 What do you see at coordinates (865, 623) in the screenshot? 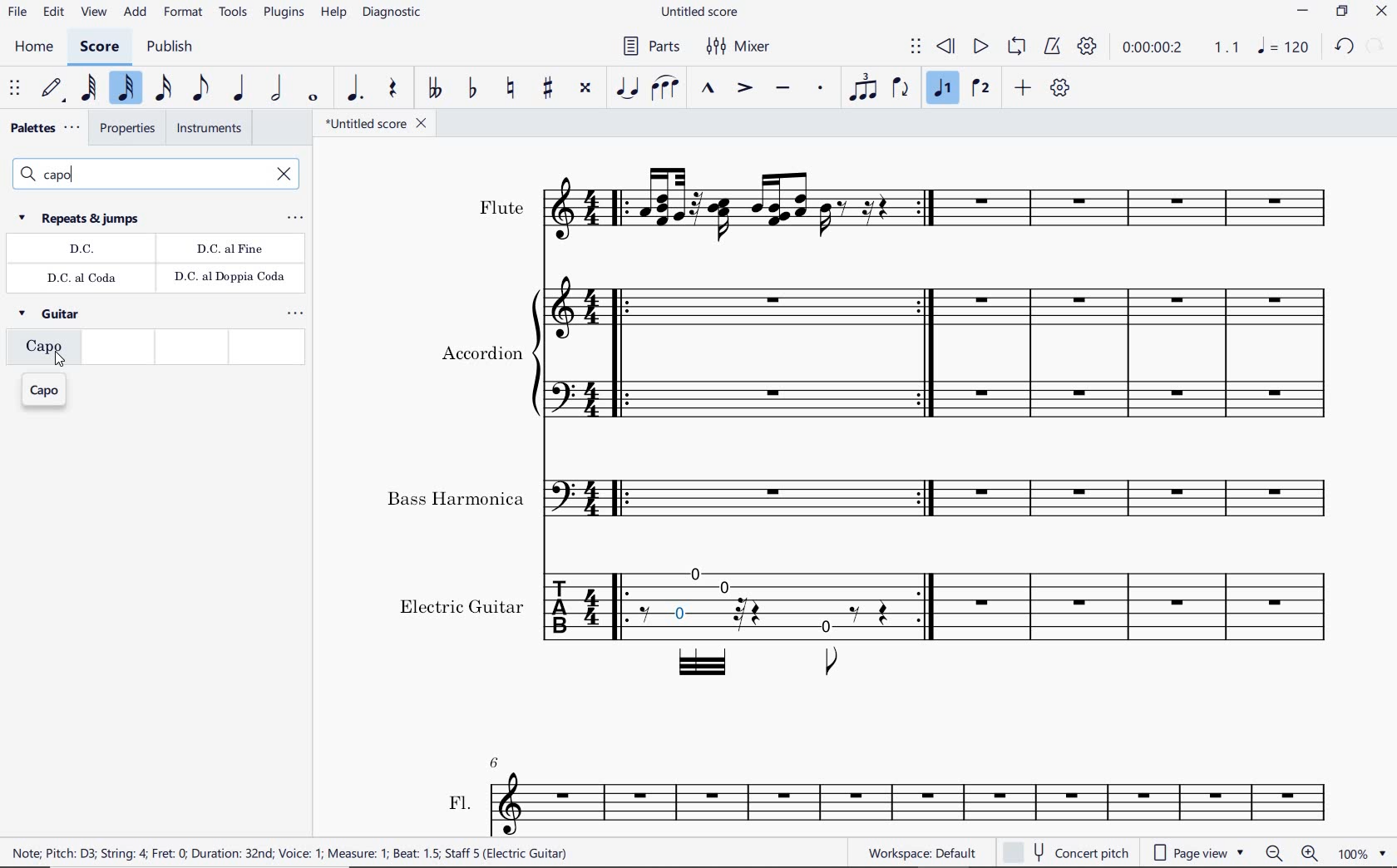
I see `Instrument: Electric guitar` at bounding box center [865, 623].